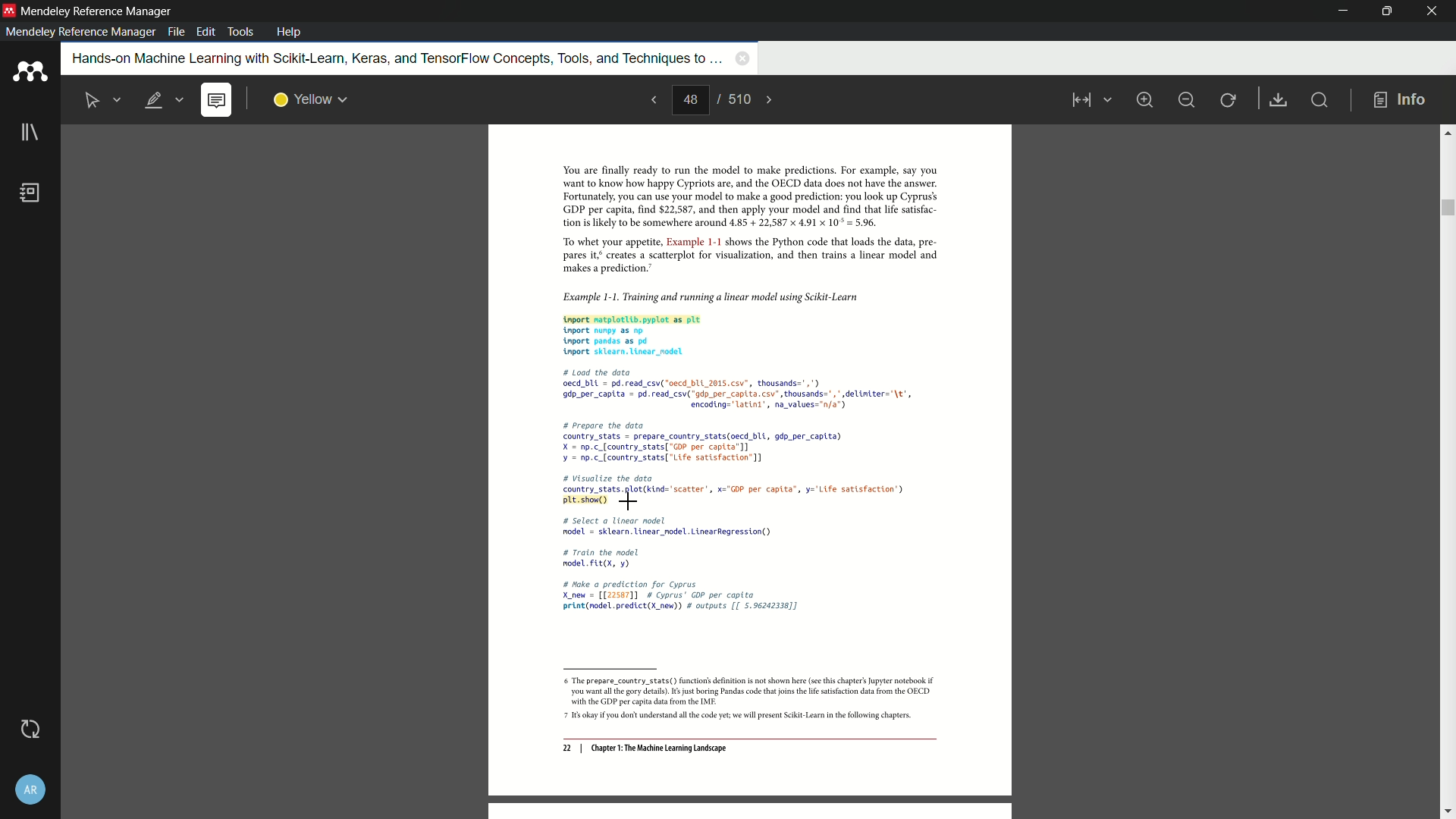 Image resolution: width=1456 pixels, height=819 pixels. Describe the element at coordinates (630, 501) in the screenshot. I see `cursor` at that location.